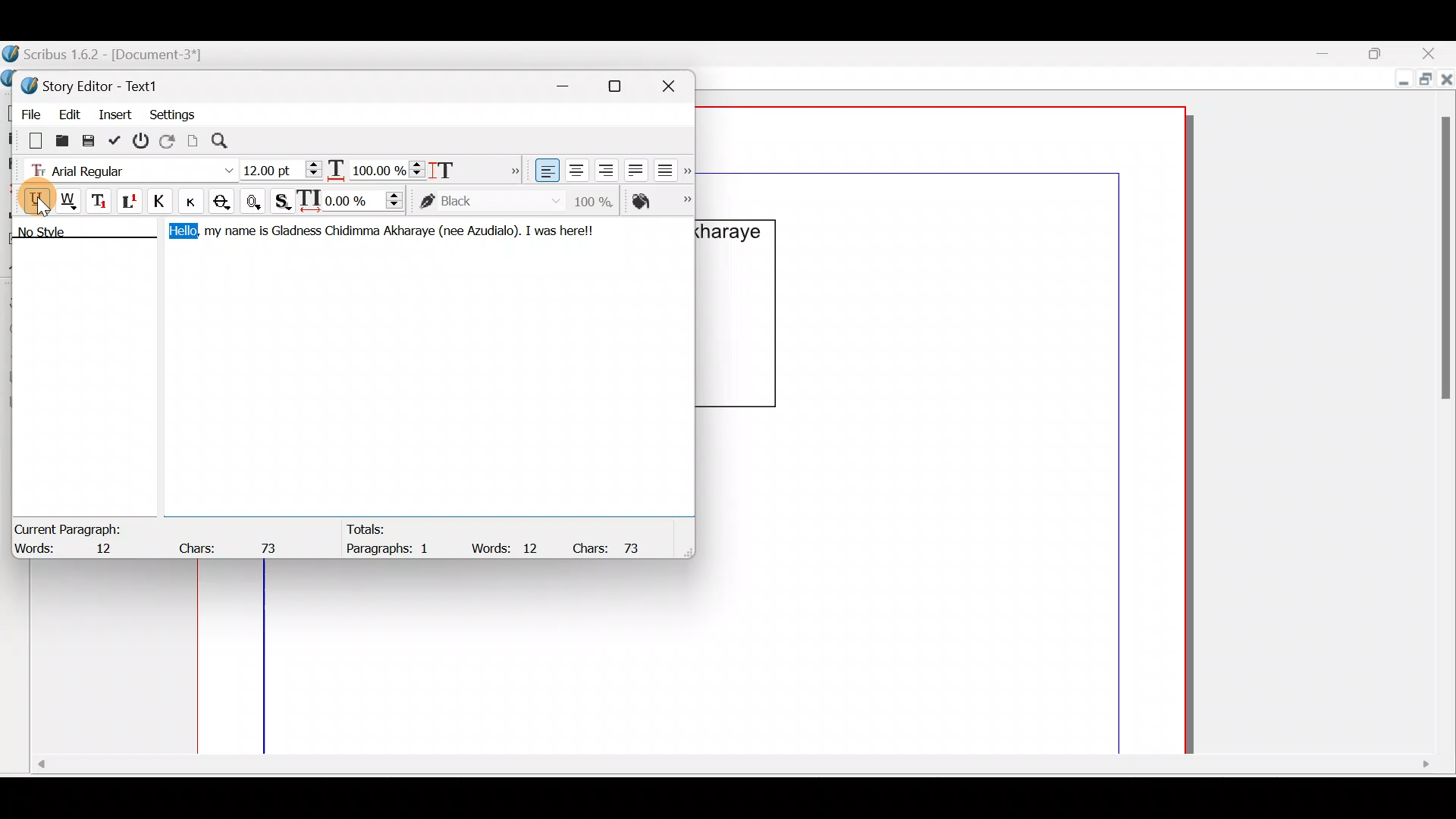 The image size is (1456, 819). I want to click on More, so click(511, 168).